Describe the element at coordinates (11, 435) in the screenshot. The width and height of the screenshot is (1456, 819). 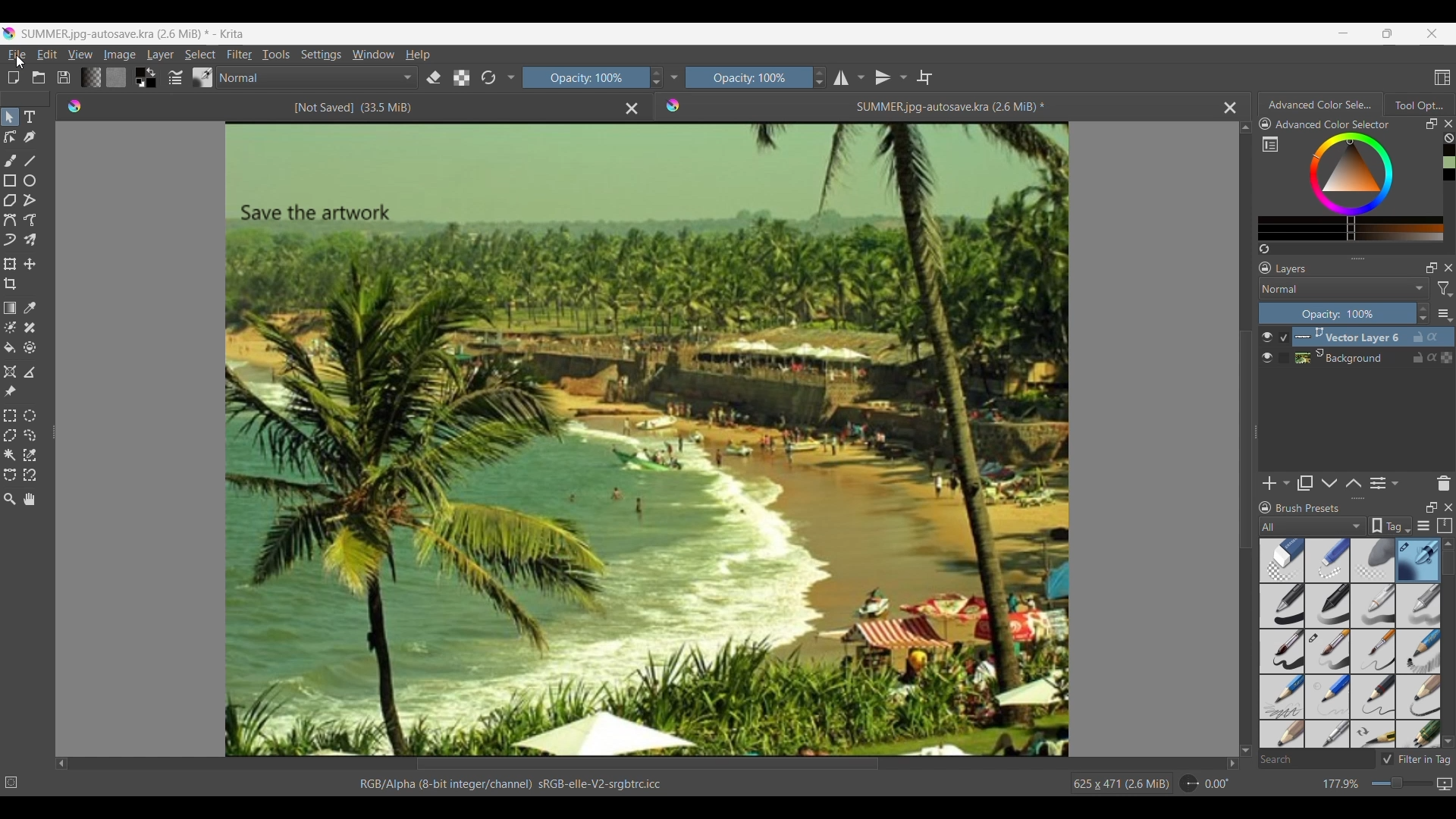
I see `Polygon selection tool` at that location.